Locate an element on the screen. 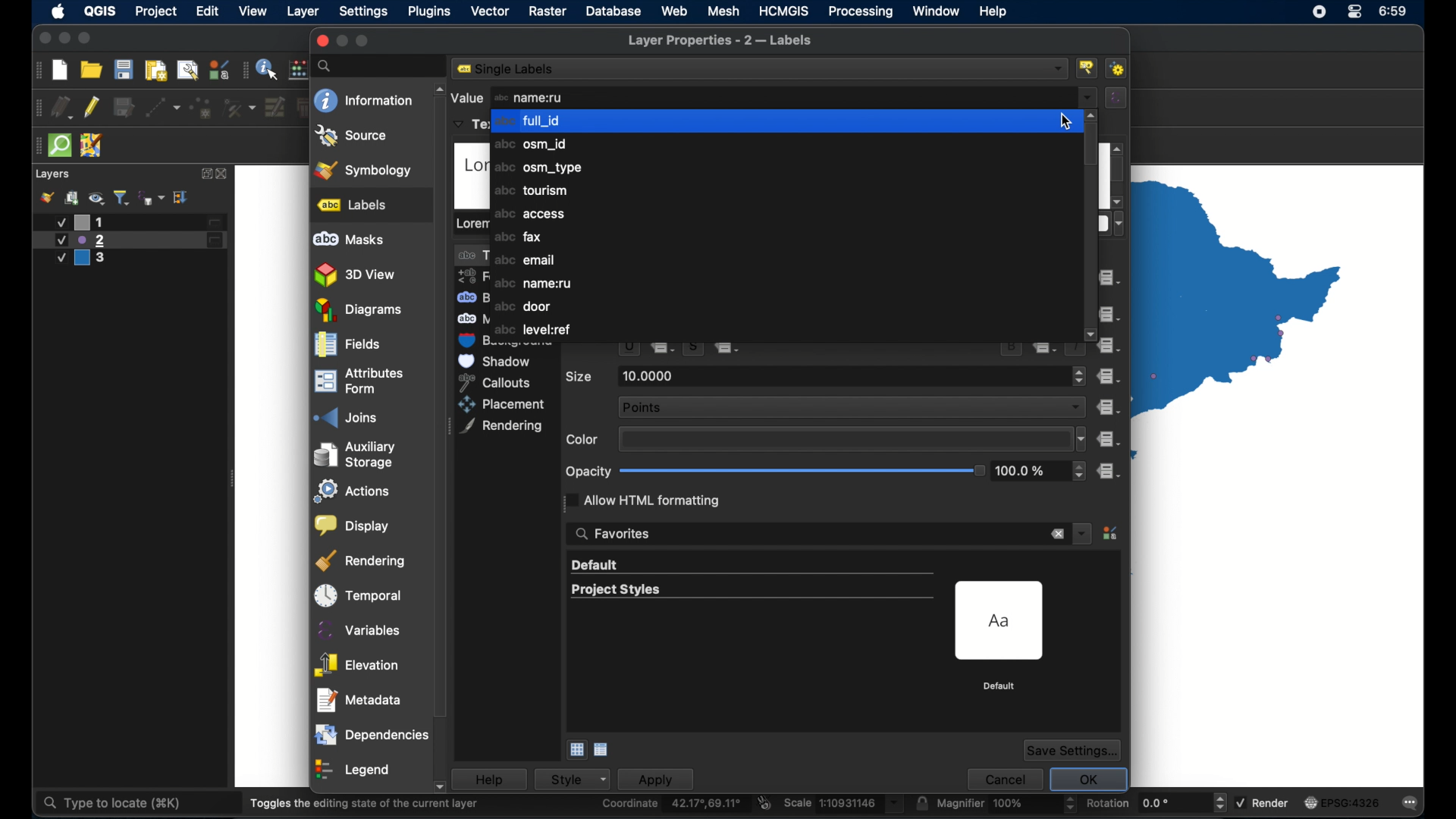 This screenshot has width=1456, height=819. maximize is located at coordinates (363, 41).